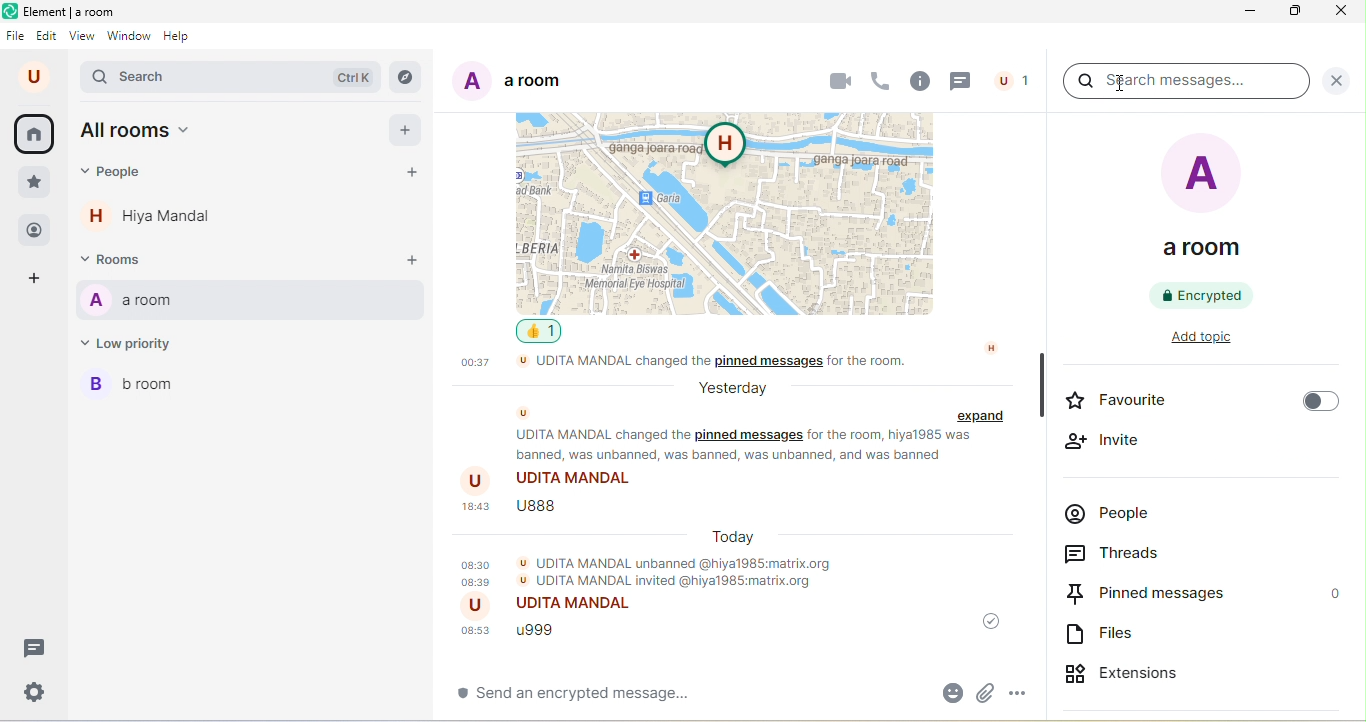  What do you see at coordinates (130, 38) in the screenshot?
I see `window` at bounding box center [130, 38].